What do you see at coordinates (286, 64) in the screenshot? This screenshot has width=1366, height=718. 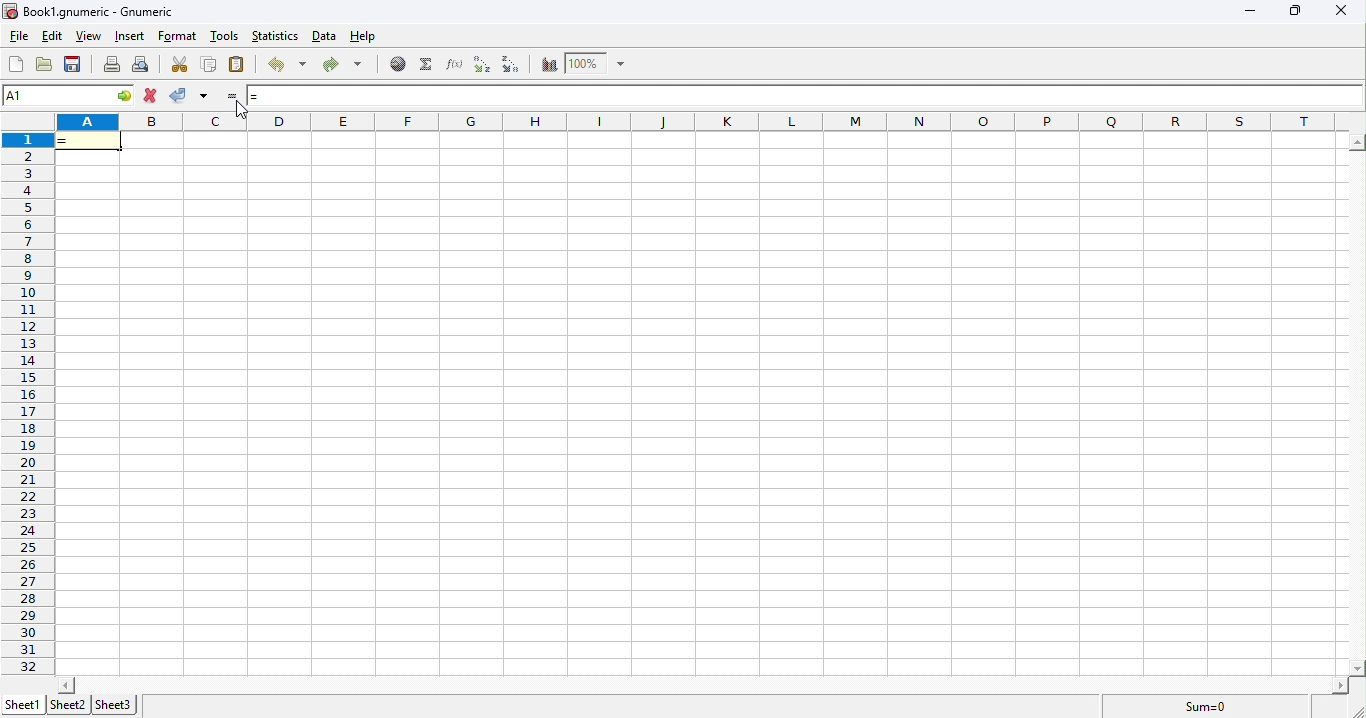 I see `undo` at bounding box center [286, 64].